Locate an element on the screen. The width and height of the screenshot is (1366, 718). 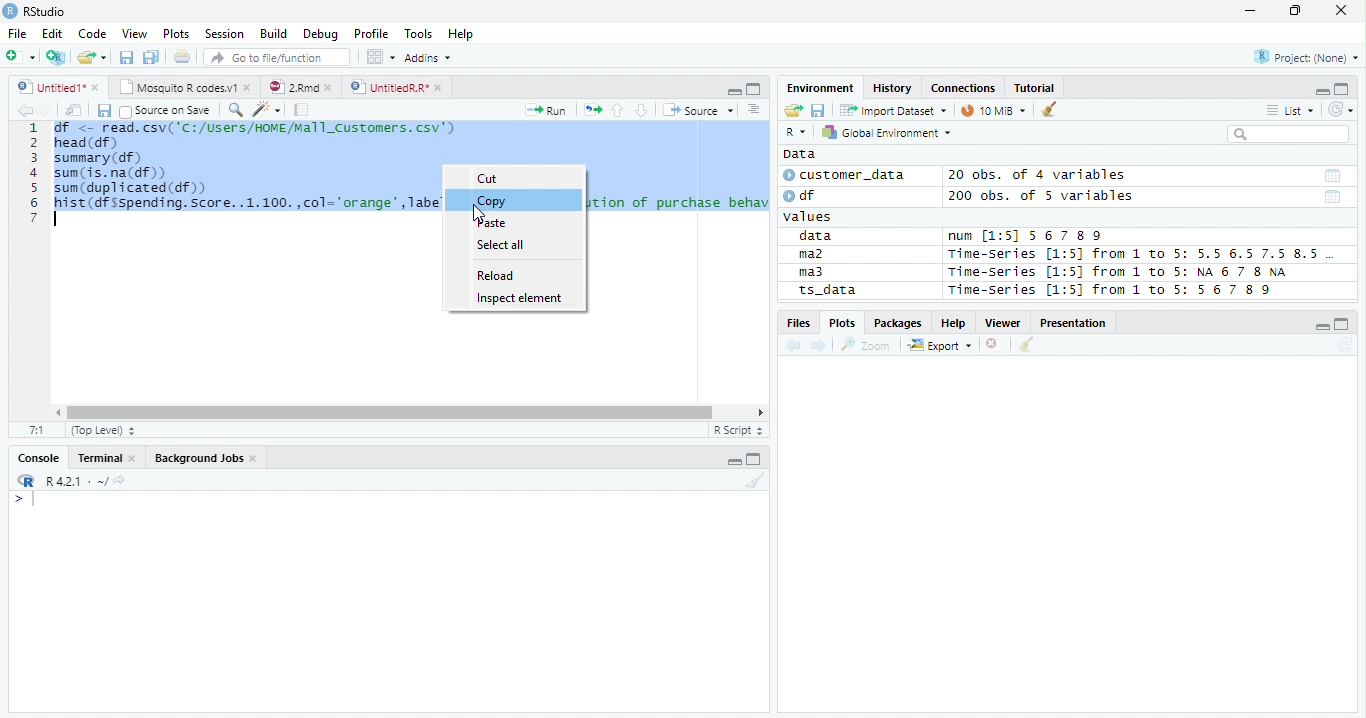
Next is located at coordinates (45, 111).